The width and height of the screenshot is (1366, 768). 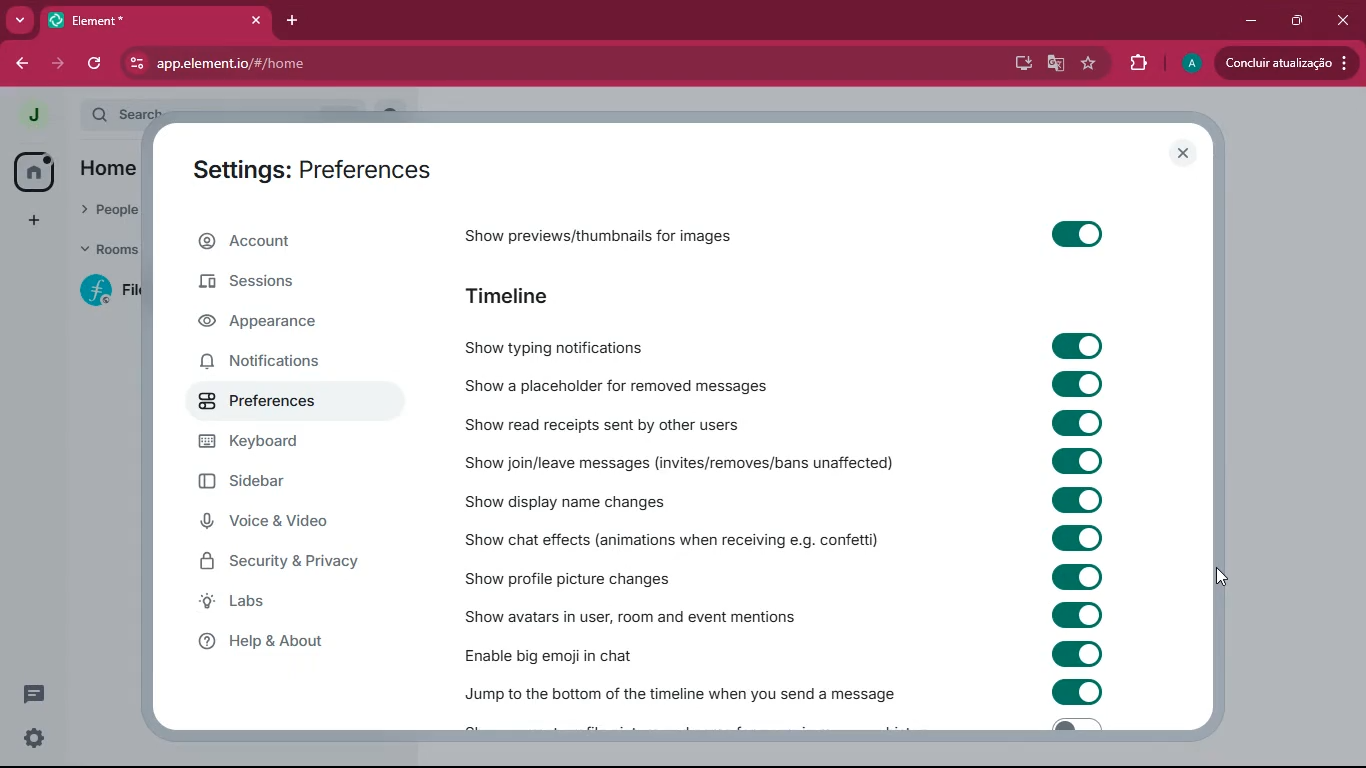 What do you see at coordinates (1073, 727) in the screenshot?
I see `toggle off` at bounding box center [1073, 727].